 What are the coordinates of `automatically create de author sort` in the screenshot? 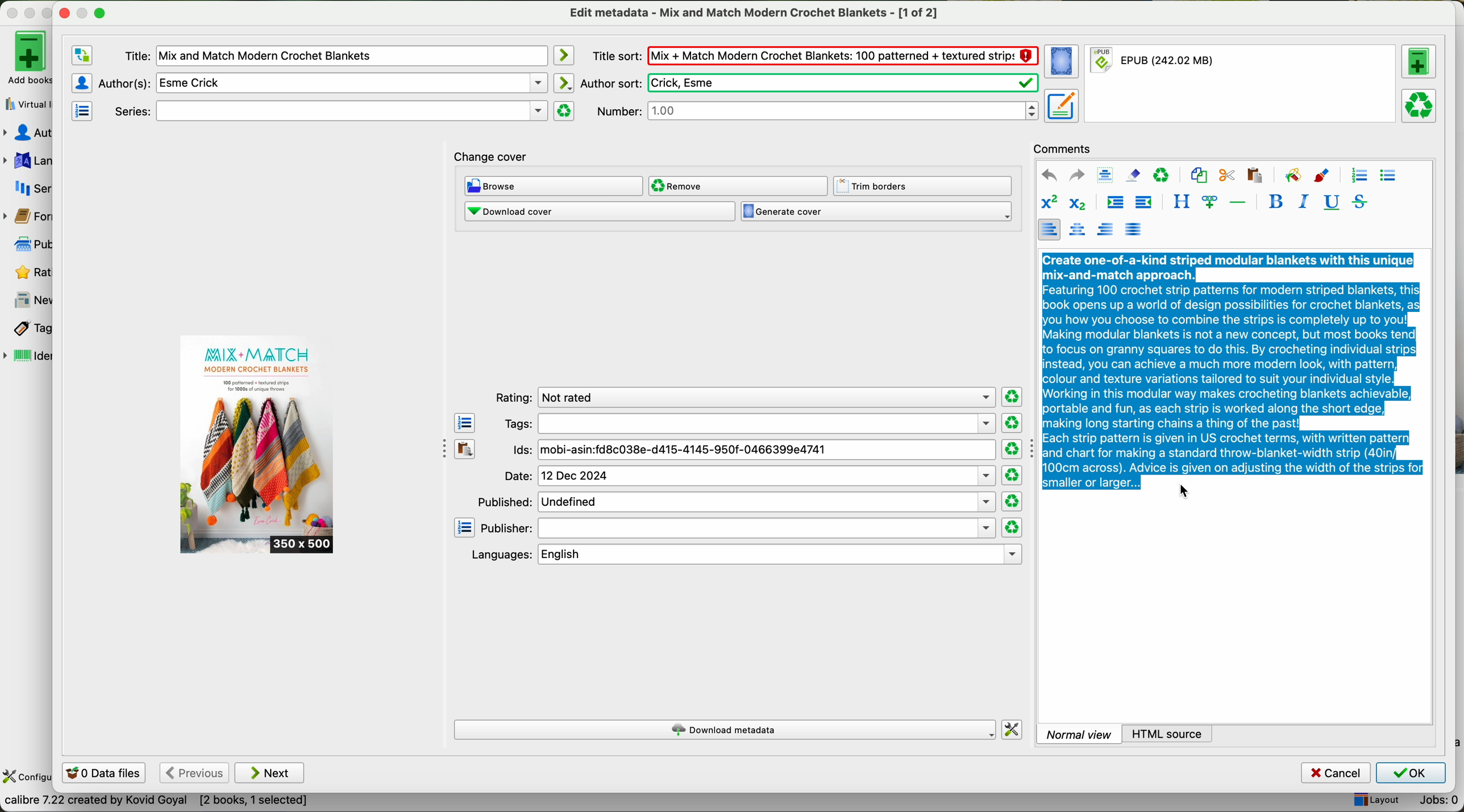 It's located at (563, 82).